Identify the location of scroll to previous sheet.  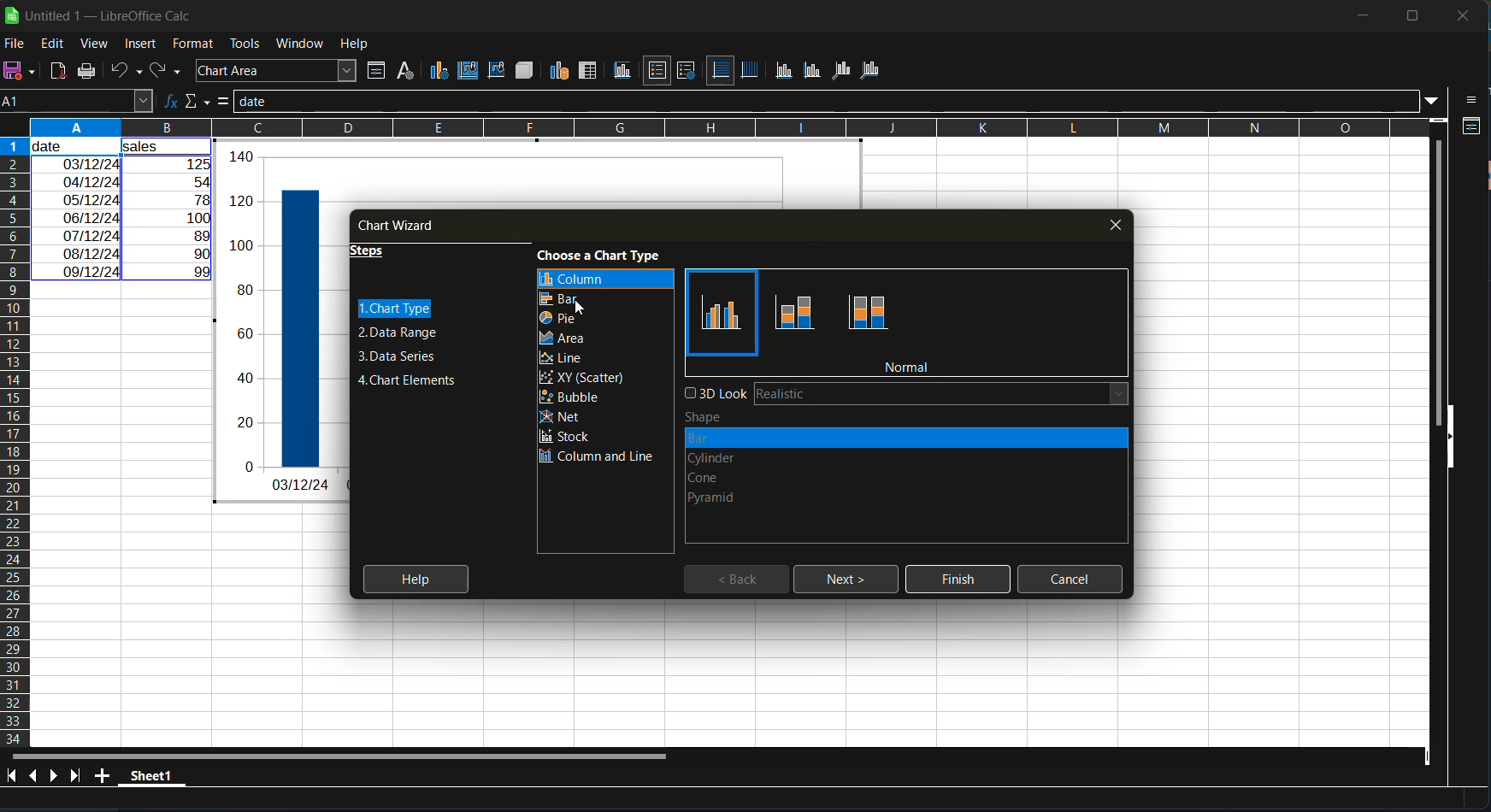
(33, 774).